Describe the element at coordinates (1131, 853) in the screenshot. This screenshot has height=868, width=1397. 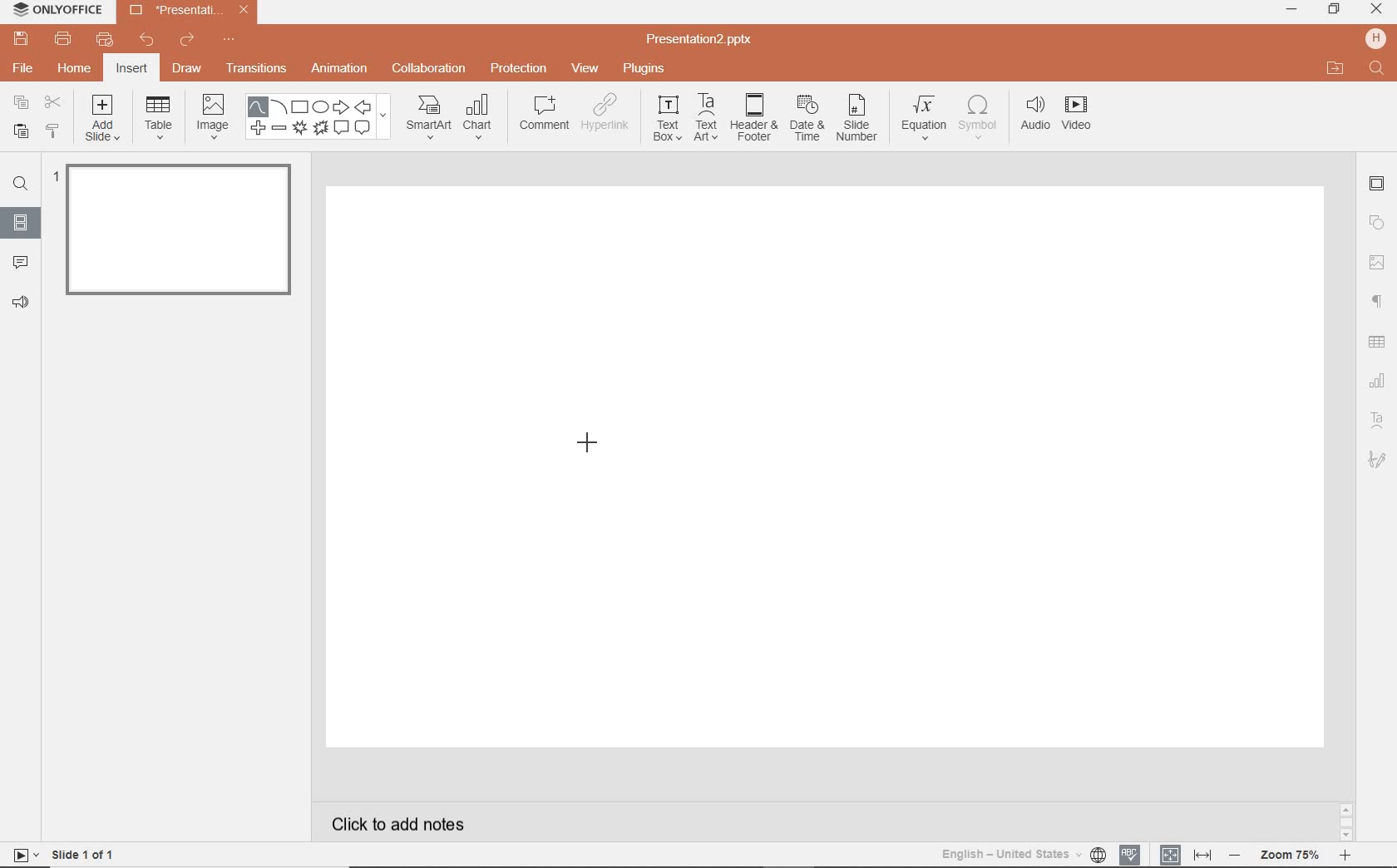
I see `SPELL CHECKING` at that location.